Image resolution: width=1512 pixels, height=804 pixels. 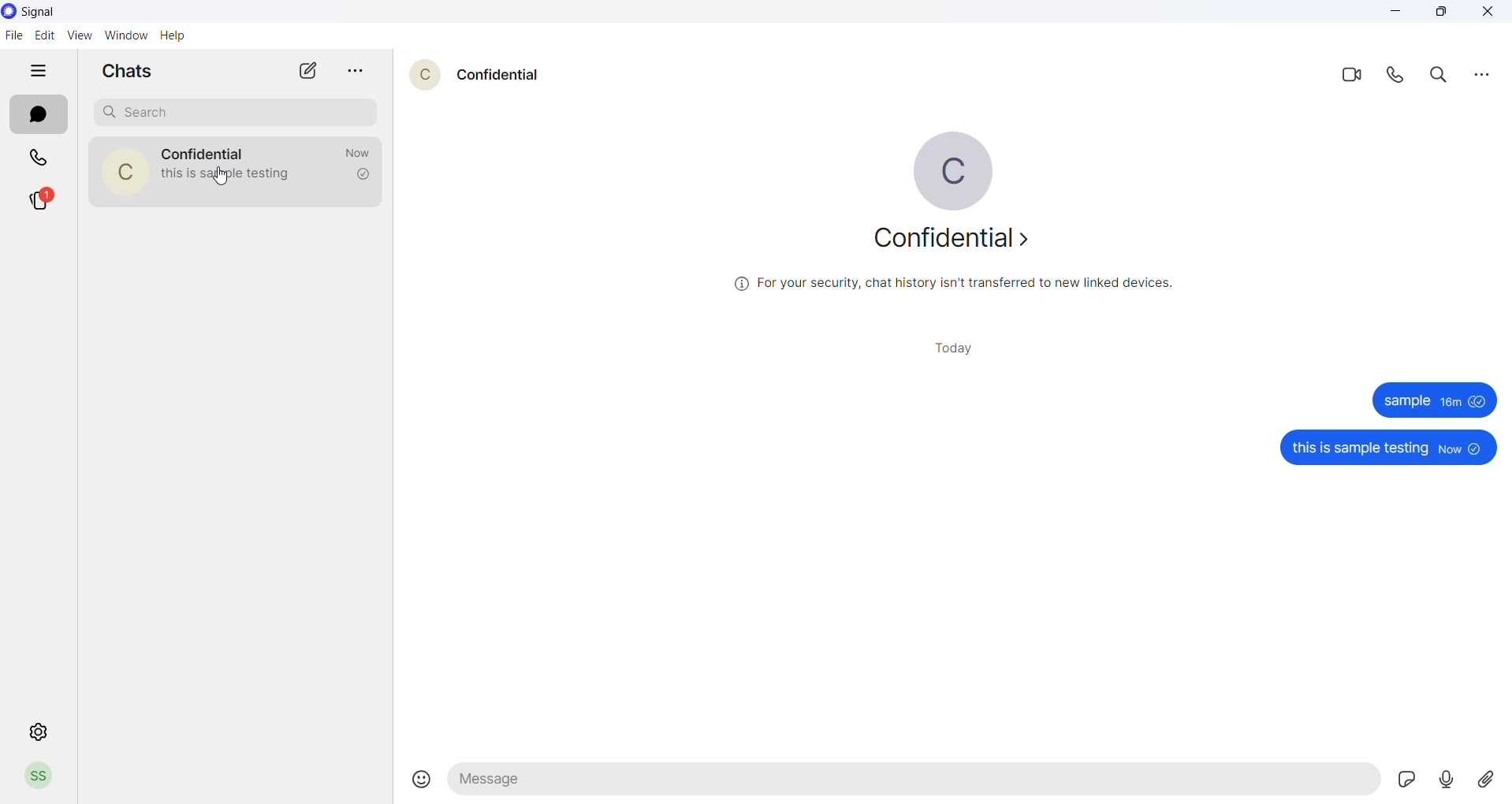 What do you see at coordinates (35, 731) in the screenshot?
I see `settings ` at bounding box center [35, 731].